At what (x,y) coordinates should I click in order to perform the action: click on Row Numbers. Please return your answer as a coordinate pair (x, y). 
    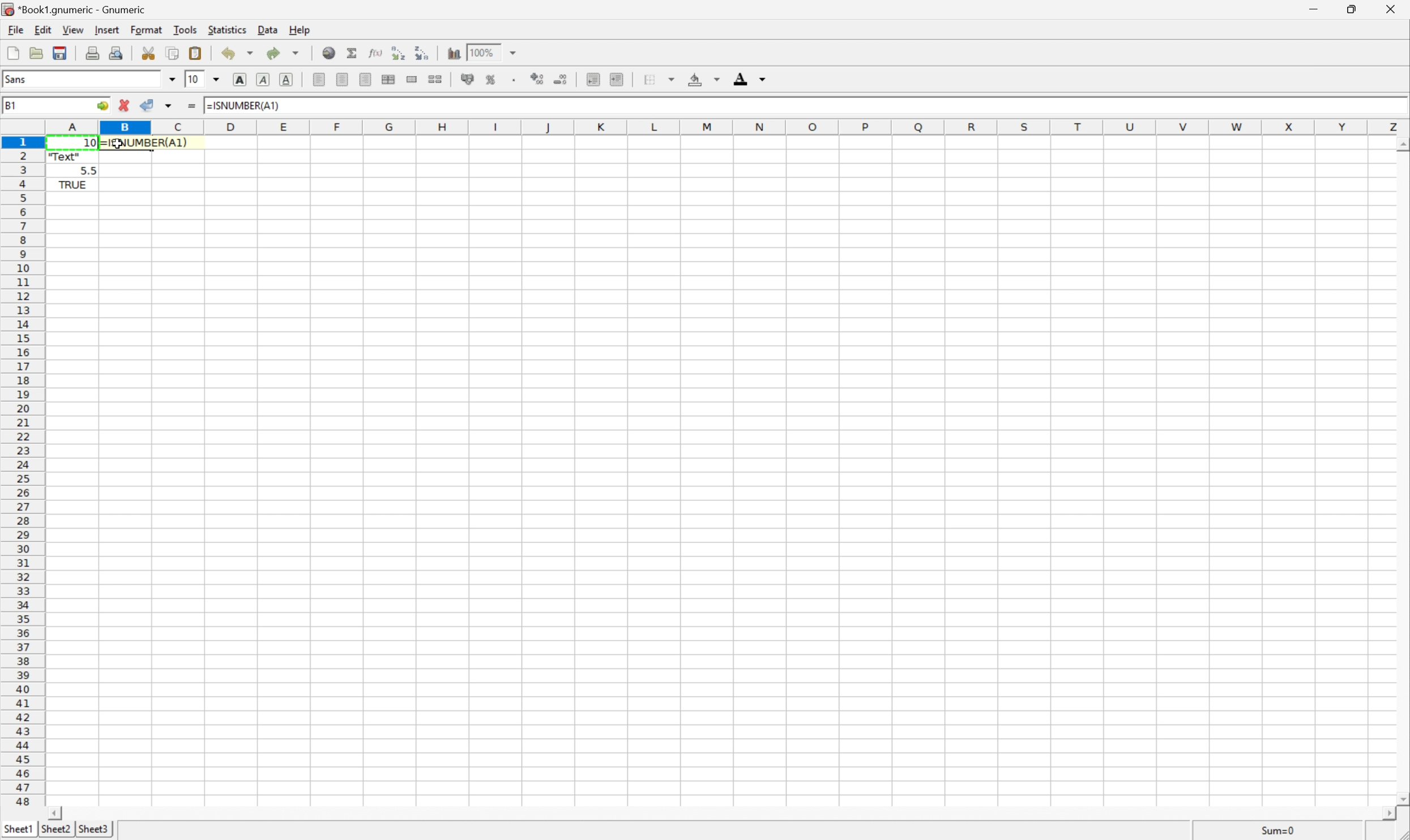
    Looking at the image, I should click on (21, 473).